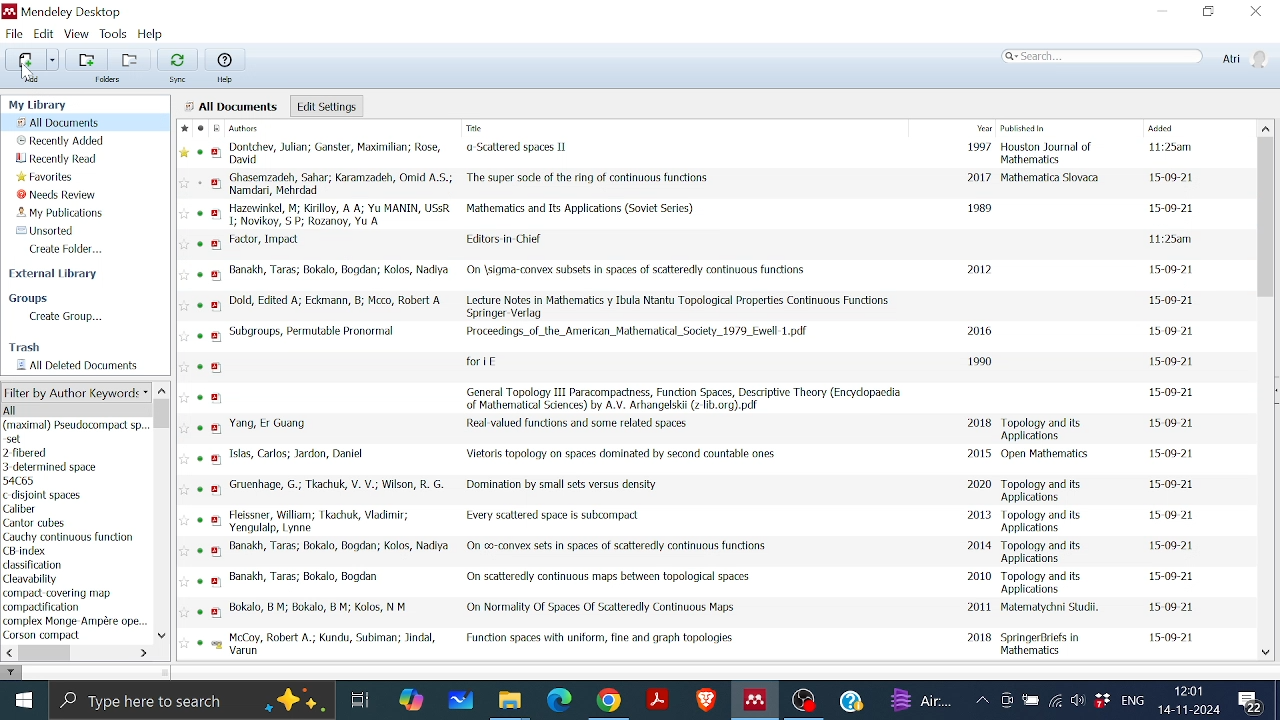 The height and width of the screenshot is (720, 1280). Describe the element at coordinates (202, 246) in the screenshot. I see `read status` at that location.